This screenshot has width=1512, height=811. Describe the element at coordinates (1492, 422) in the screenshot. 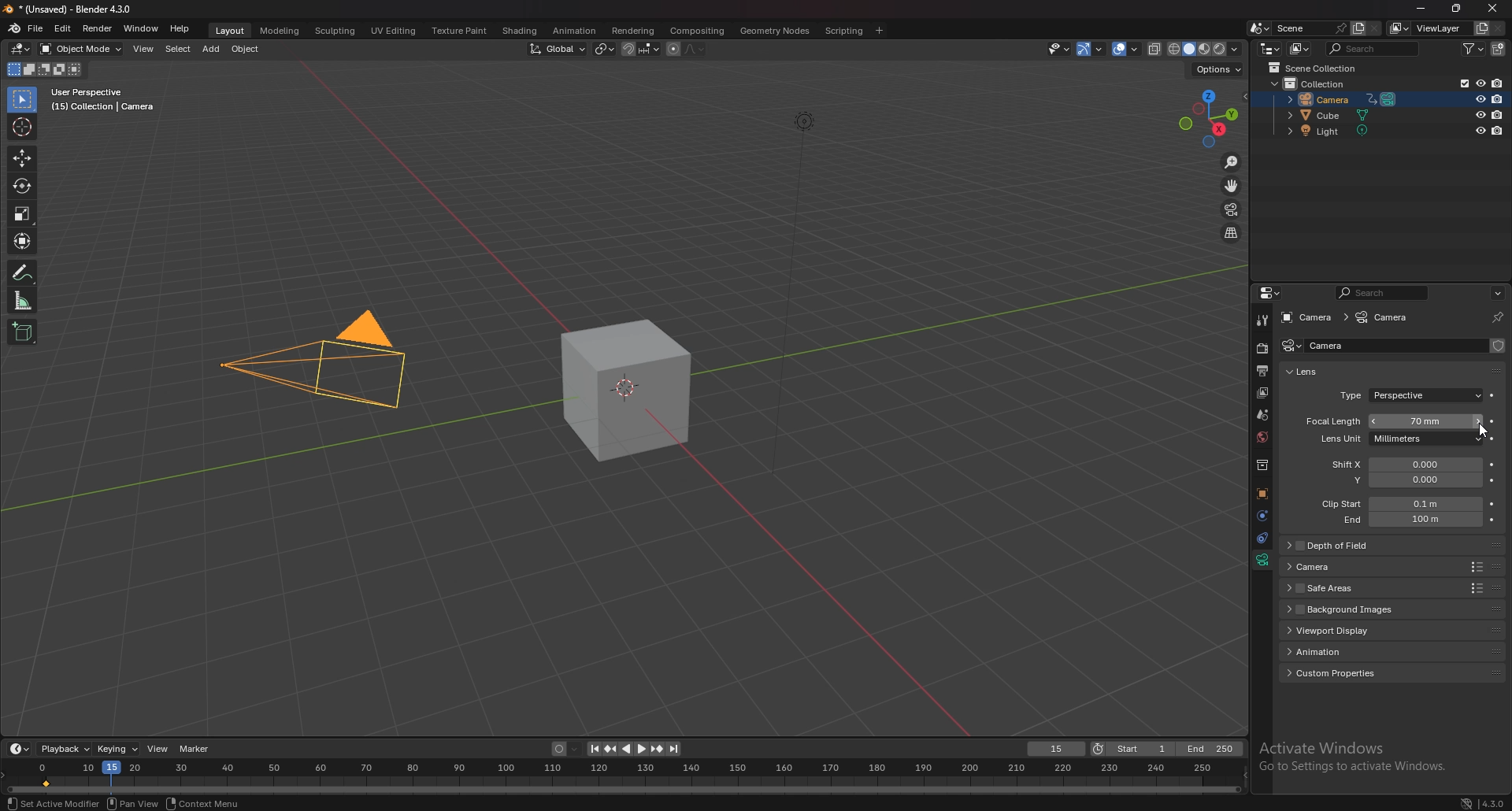

I see `animate property` at that location.